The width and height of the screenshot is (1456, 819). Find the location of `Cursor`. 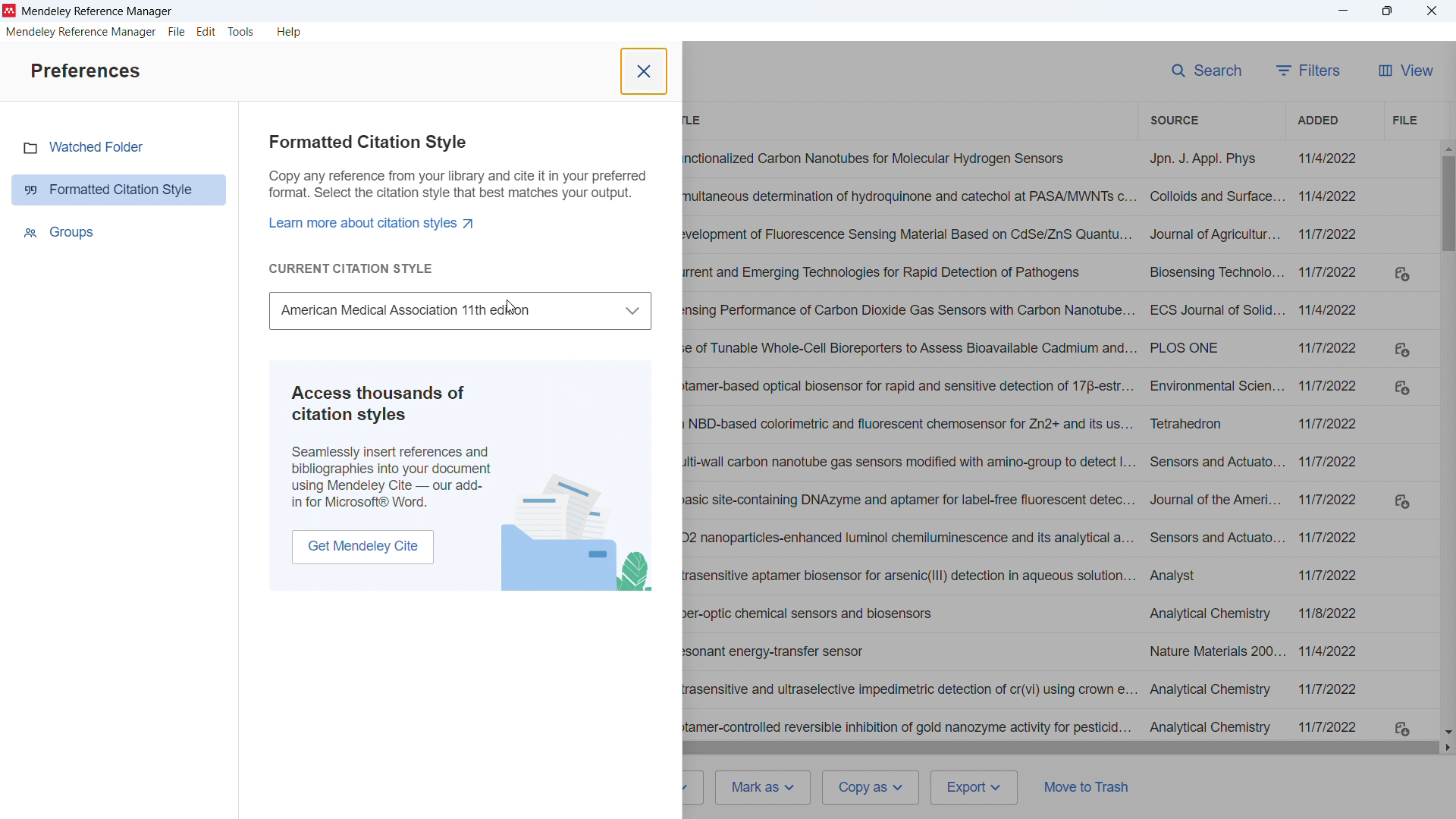

Cursor is located at coordinates (511, 307).